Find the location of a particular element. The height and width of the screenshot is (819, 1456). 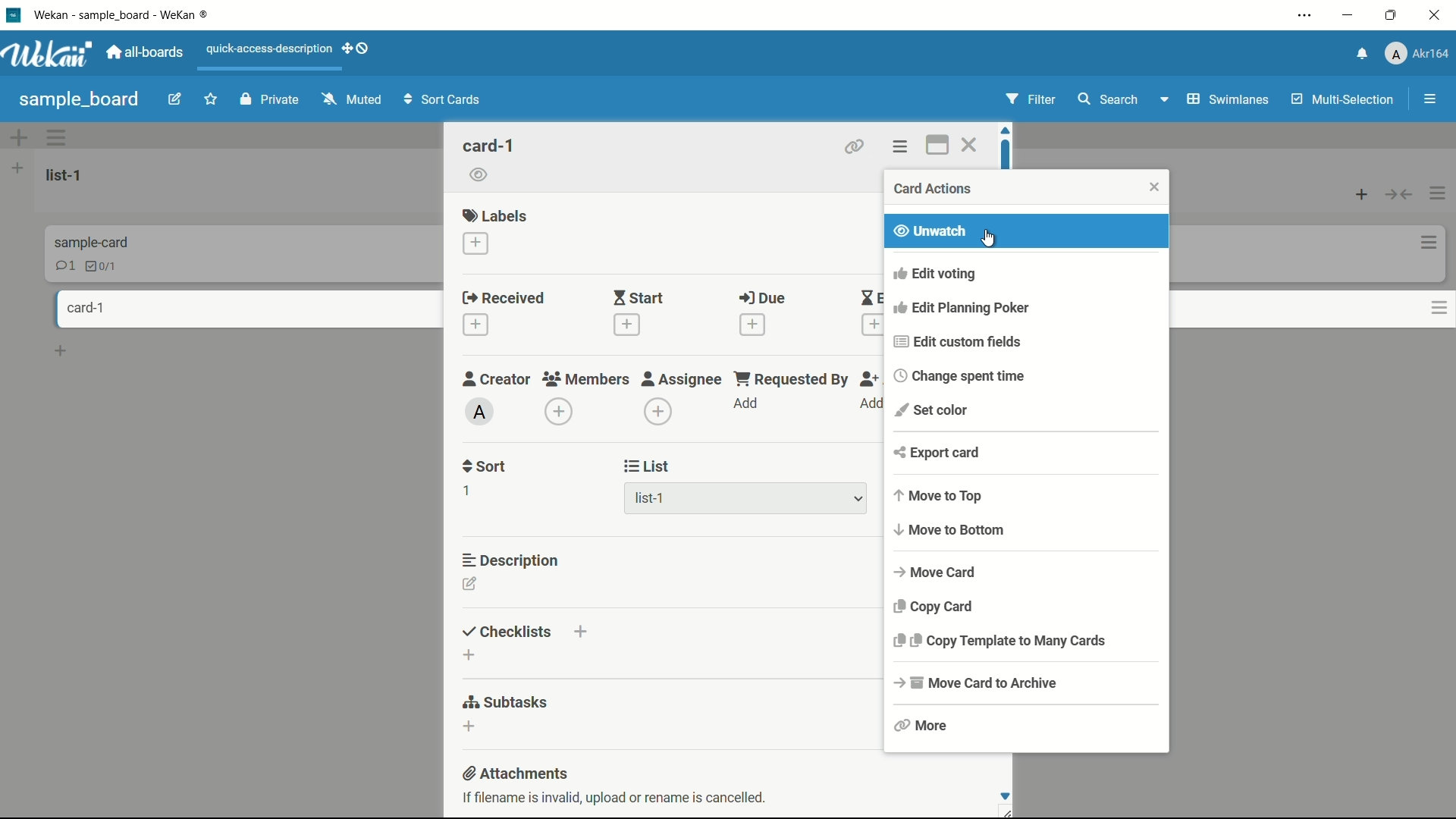

settings and more is located at coordinates (1302, 16).